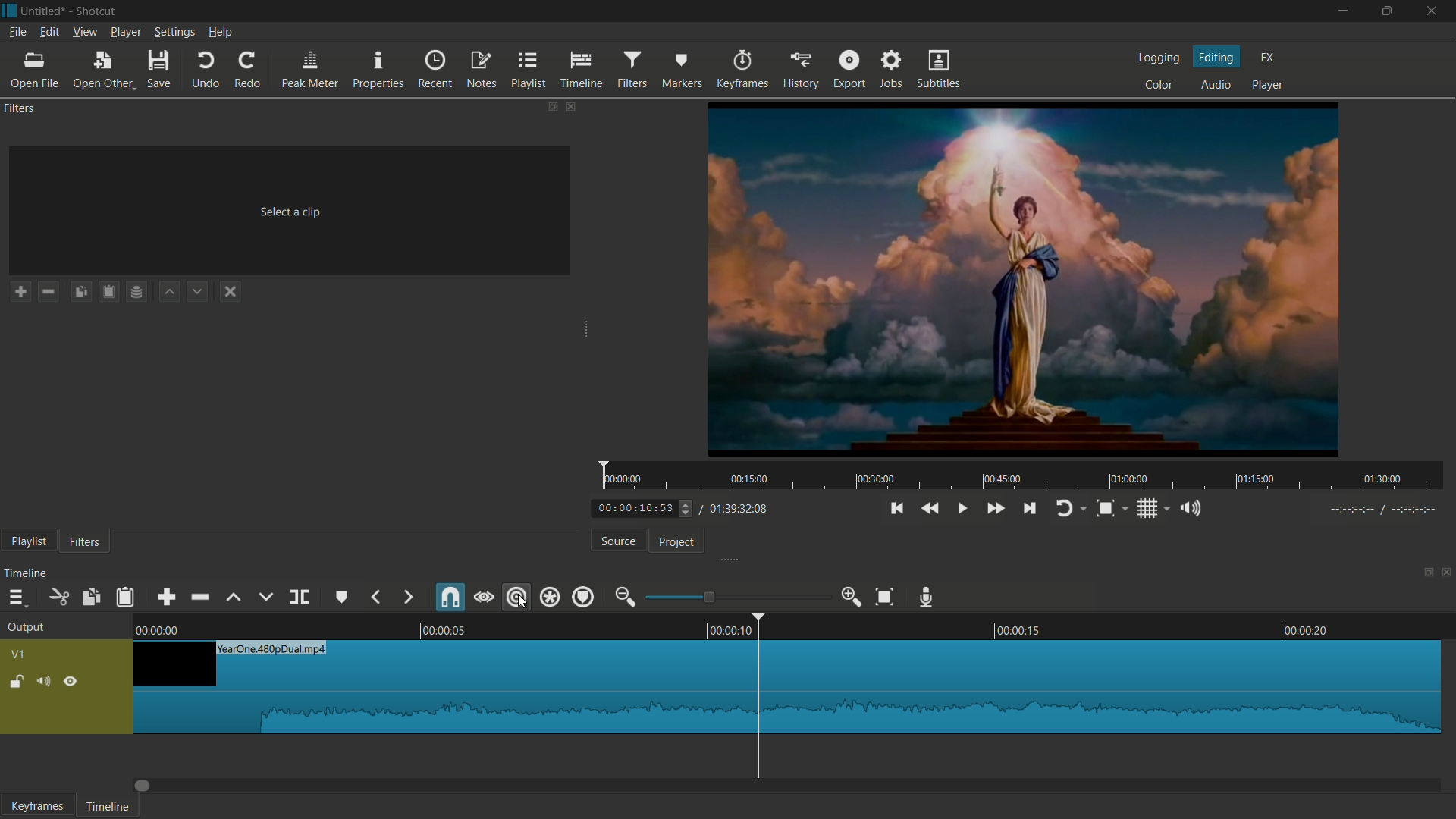 The height and width of the screenshot is (819, 1456). What do you see at coordinates (124, 33) in the screenshot?
I see `player menu` at bounding box center [124, 33].